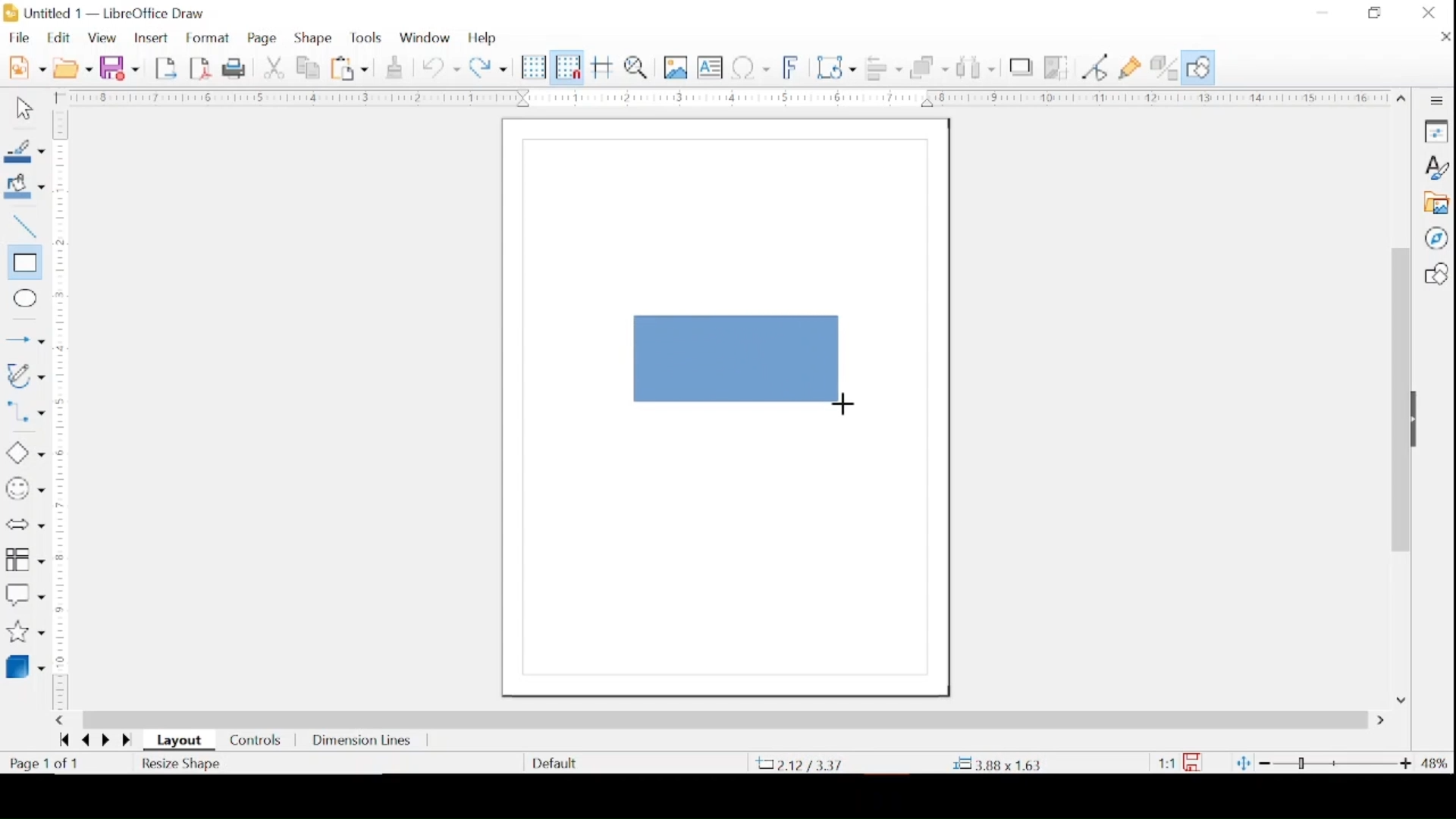 The image size is (1456, 819). I want to click on paste options, so click(350, 69).